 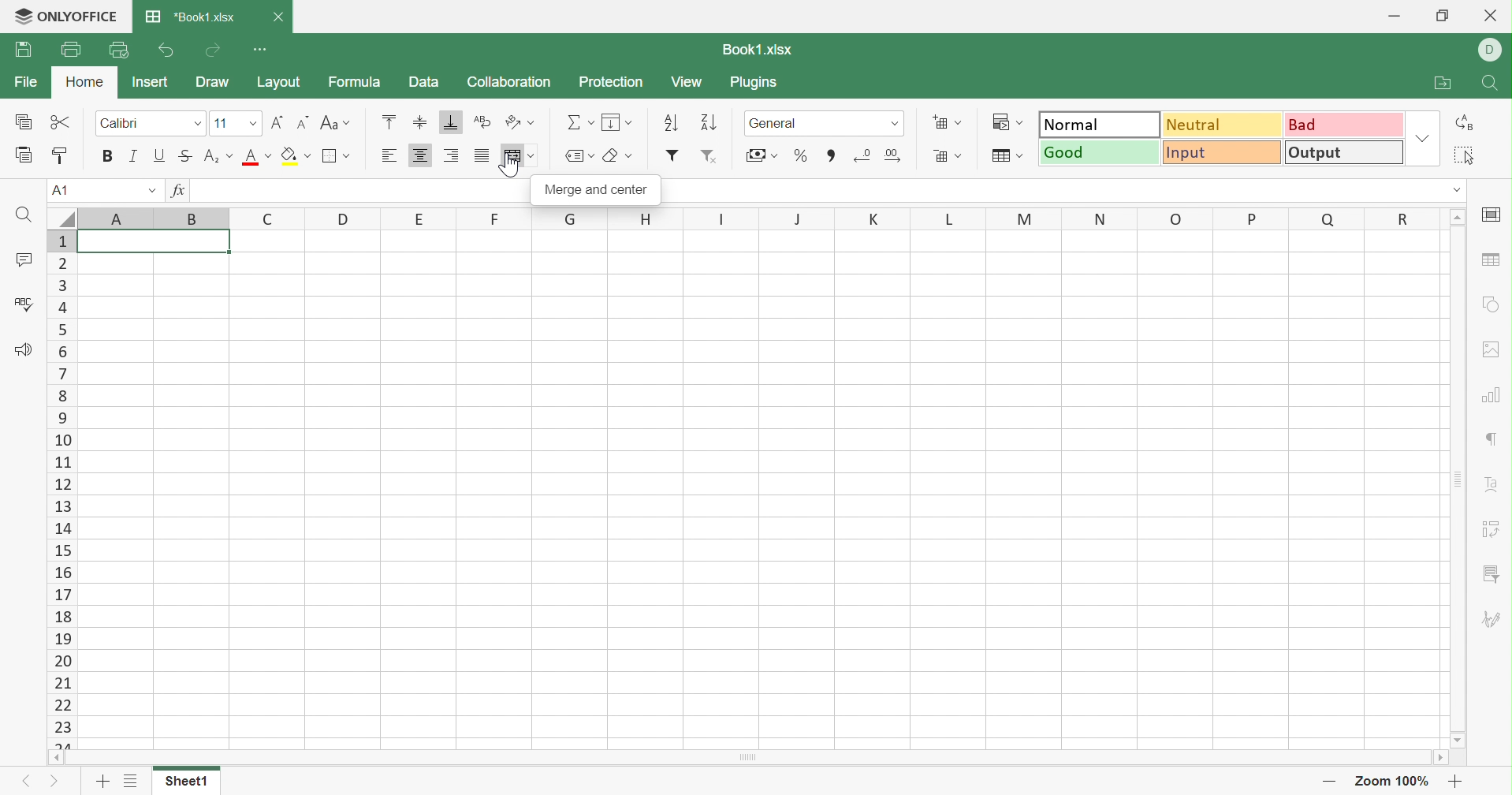 I want to click on Paste, so click(x=25, y=155).